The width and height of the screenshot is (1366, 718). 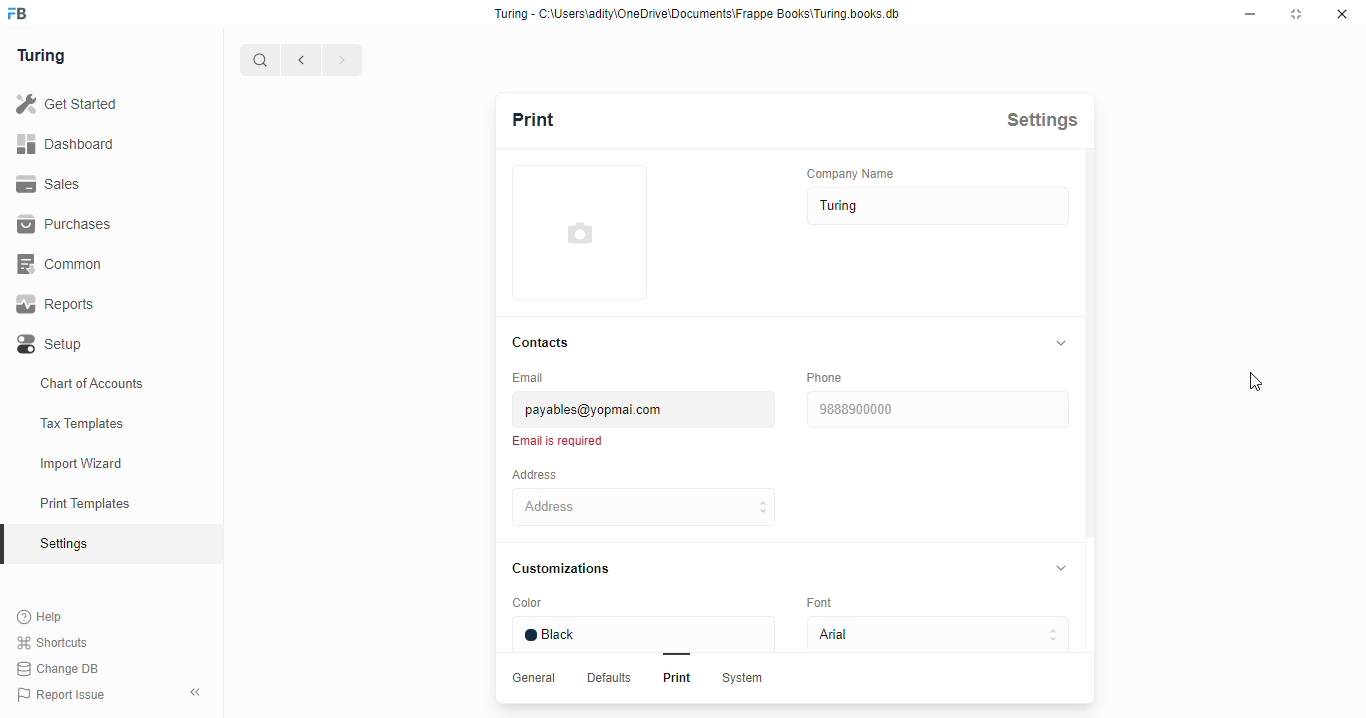 What do you see at coordinates (71, 143) in the screenshot?
I see `Dashboard` at bounding box center [71, 143].